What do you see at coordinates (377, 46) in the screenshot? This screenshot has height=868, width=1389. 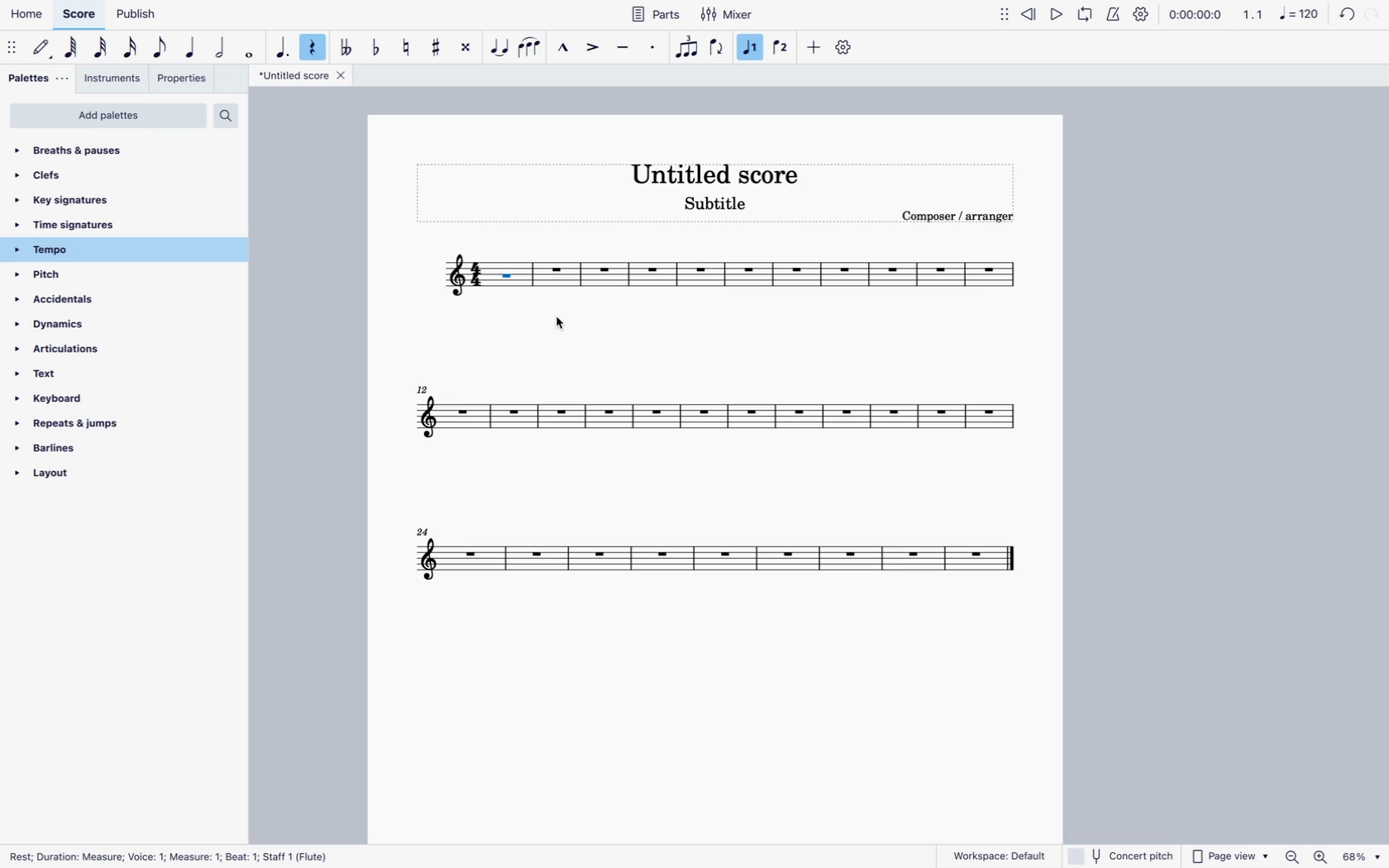 I see `toggle flat` at bounding box center [377, 46].